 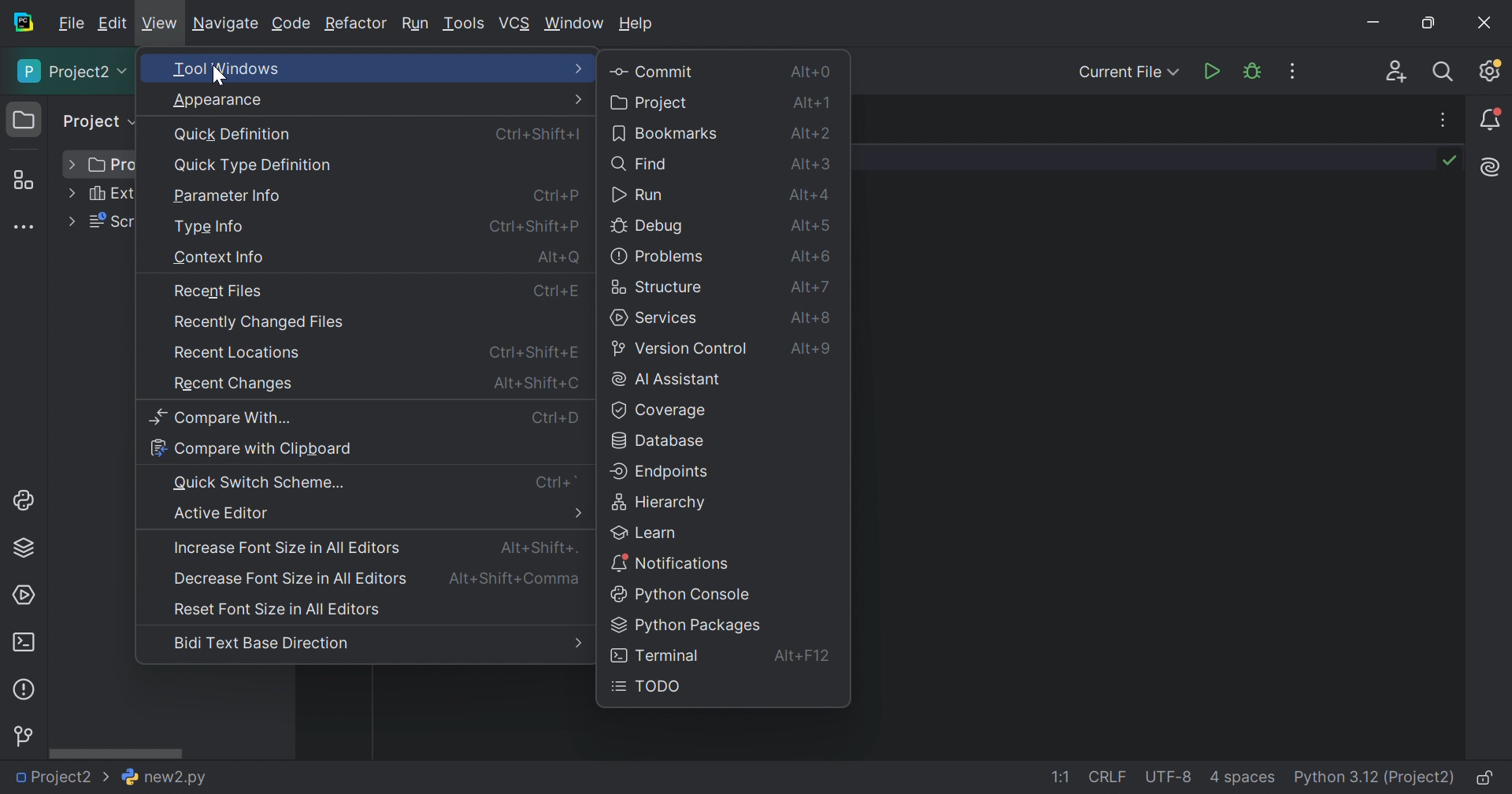 What do you see at coordinates (358, 24) in the screenshot?
I see `Refactor` at bounding box center [358, 24].